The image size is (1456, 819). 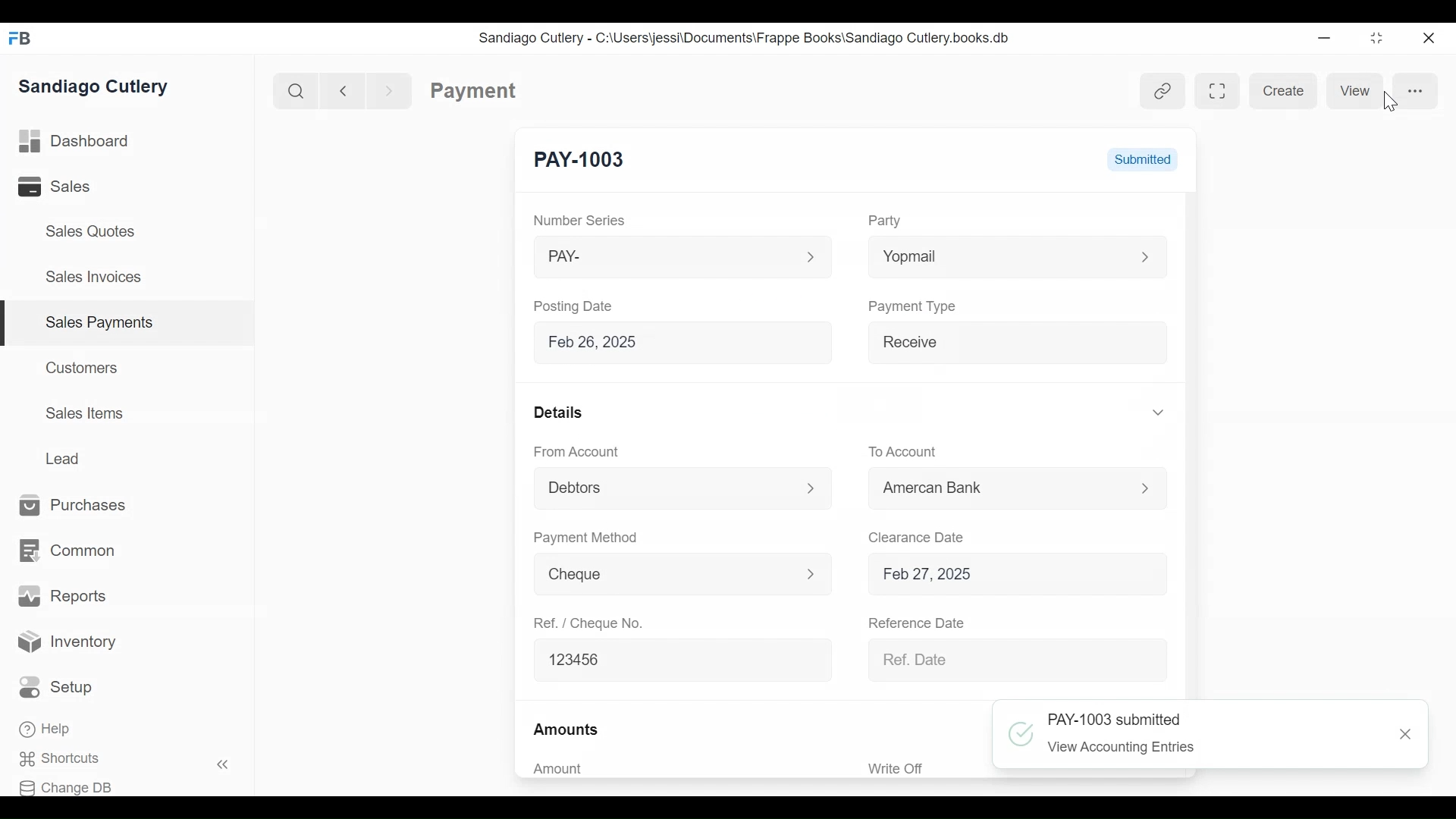 What do you see at coordinates (917, 623) in the screenshot?
I see `Reference Date` at bounding box center [917, 623].